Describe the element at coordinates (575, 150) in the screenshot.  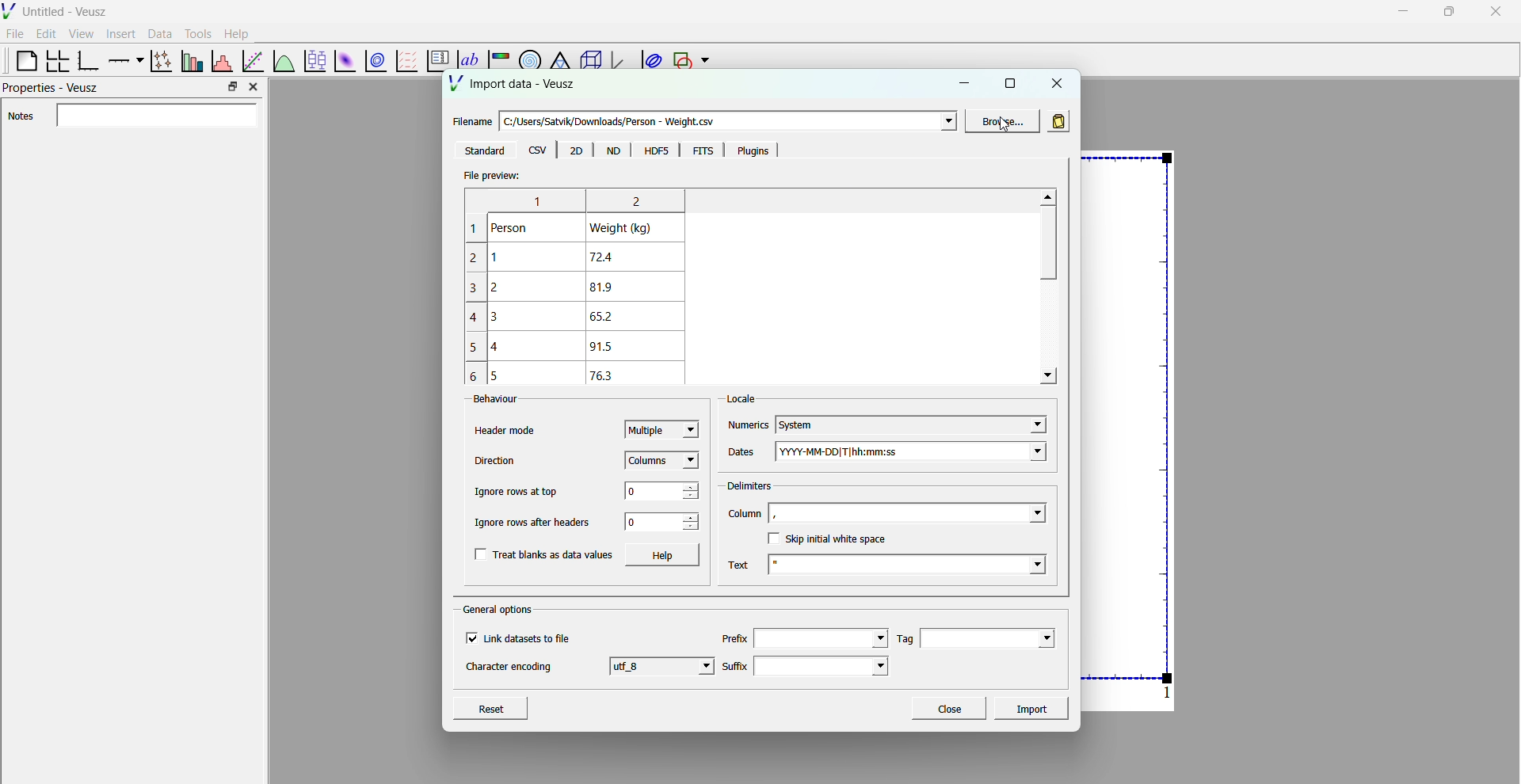
I see `2D` at that location.